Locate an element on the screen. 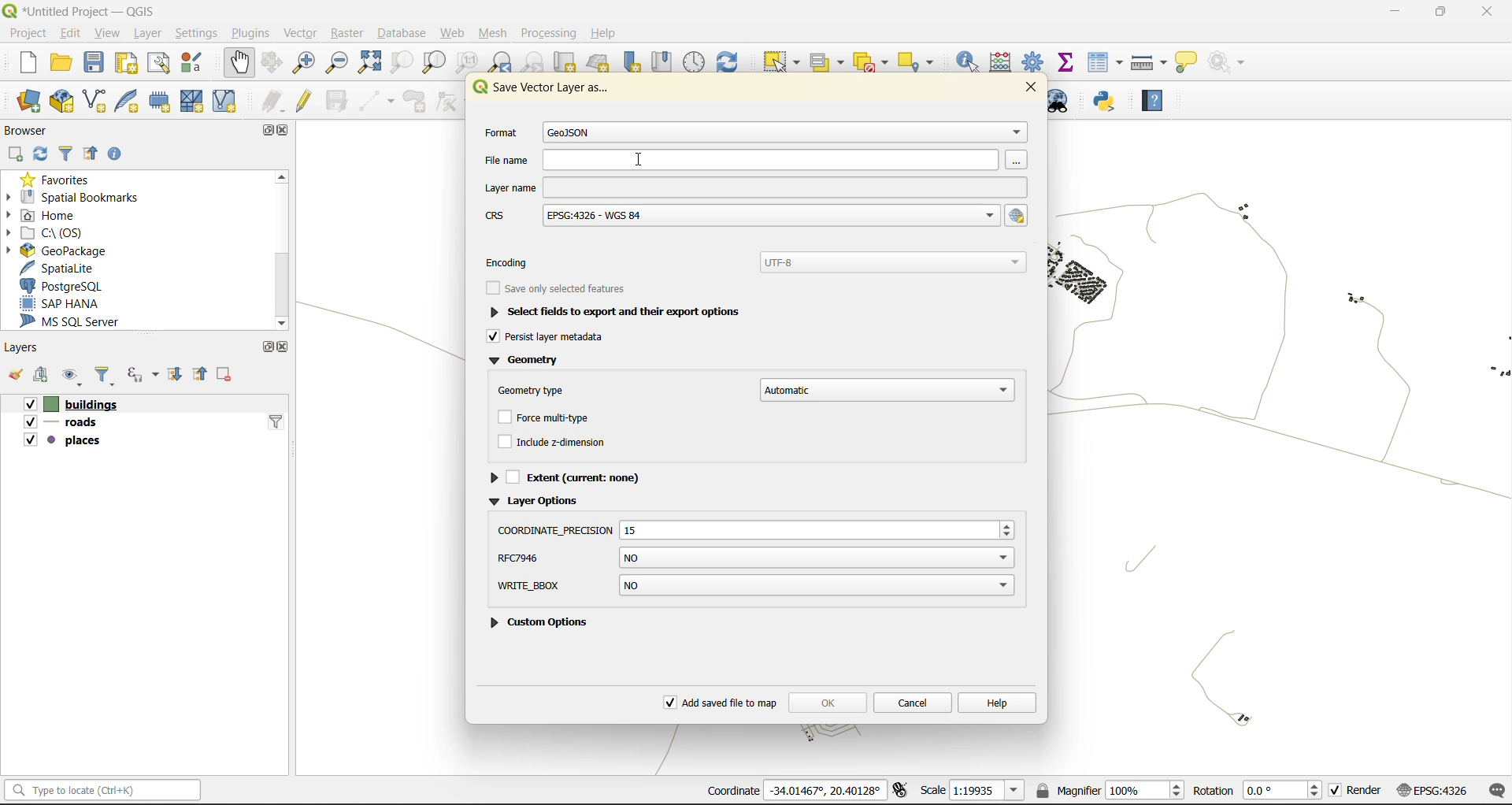 The height and width of the screenshot is (805, 1512). add is located at coordinates (42, 376).